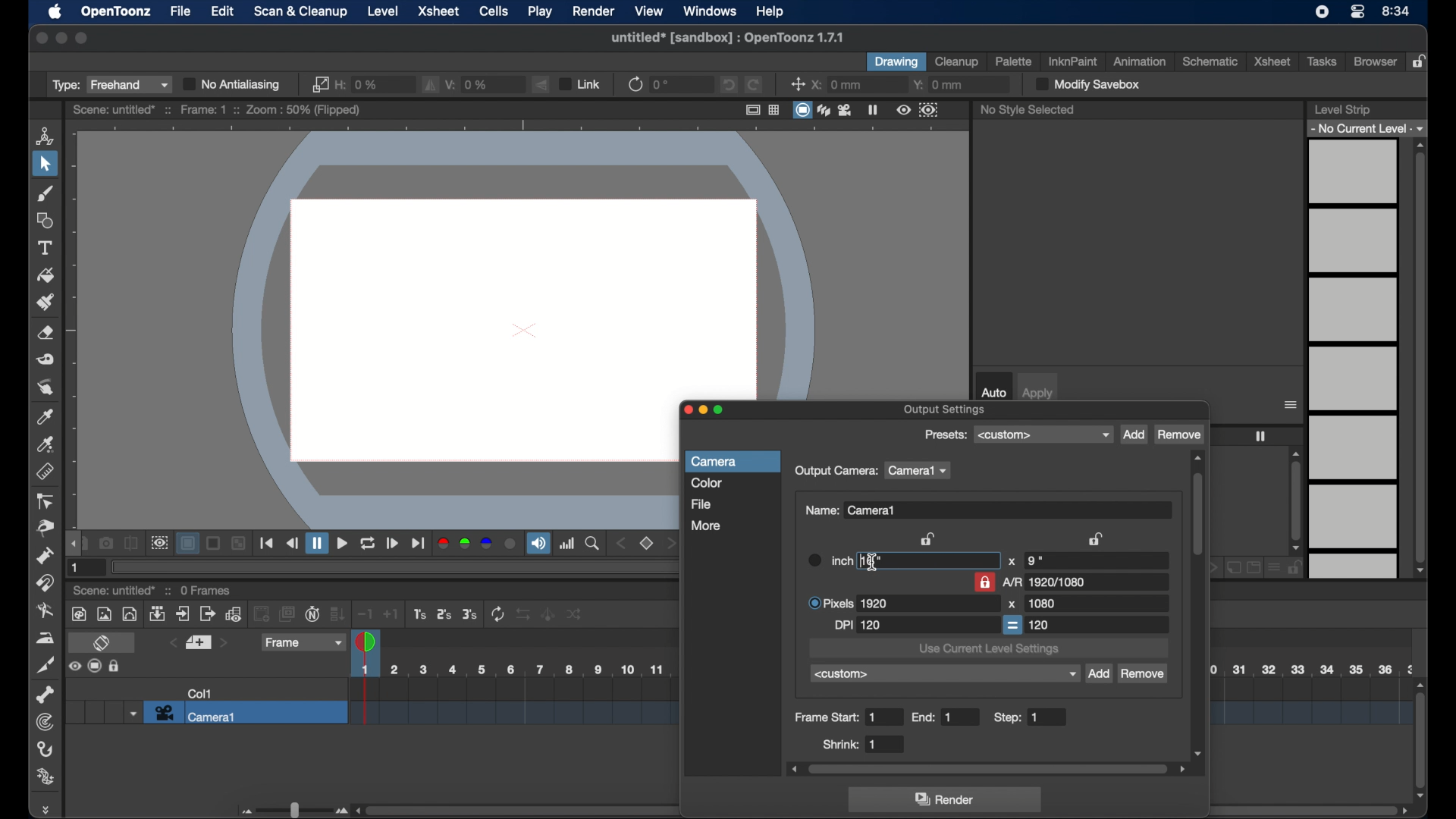 The width and height of the screenshot is (1456, 819). I want to click on link, so click(579, 83).